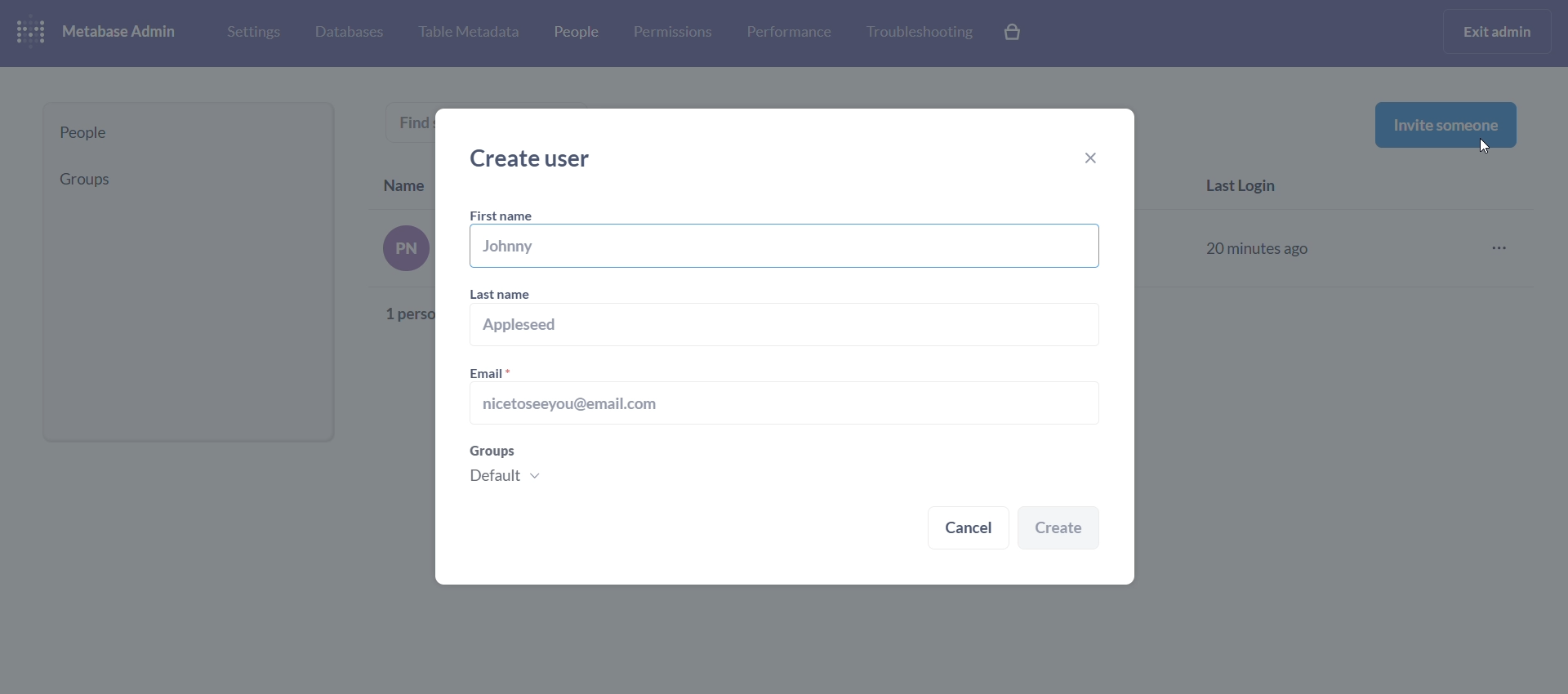  I want to click on table metabase, so click(468, 33).